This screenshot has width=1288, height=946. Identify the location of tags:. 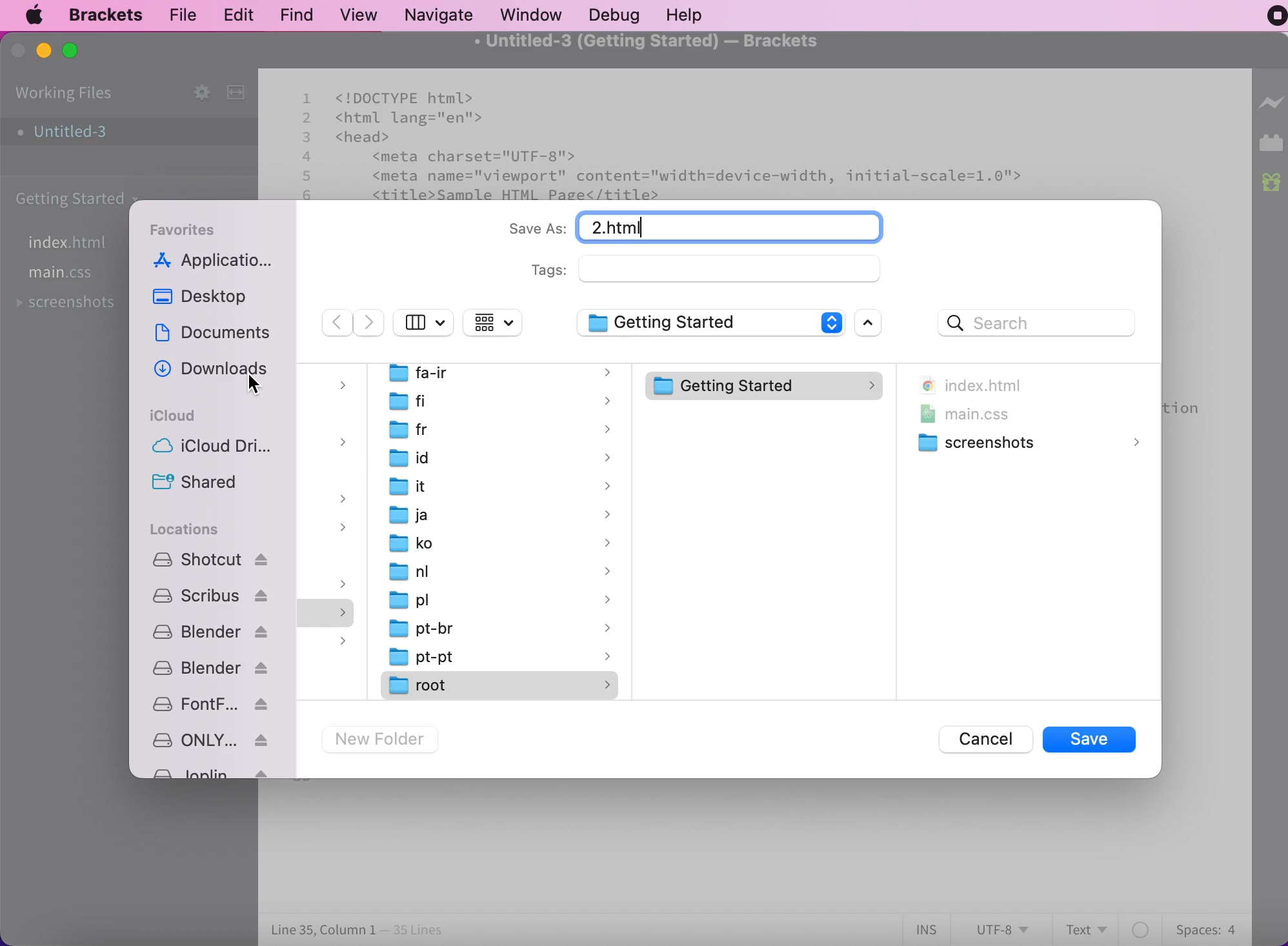
(716, 277).